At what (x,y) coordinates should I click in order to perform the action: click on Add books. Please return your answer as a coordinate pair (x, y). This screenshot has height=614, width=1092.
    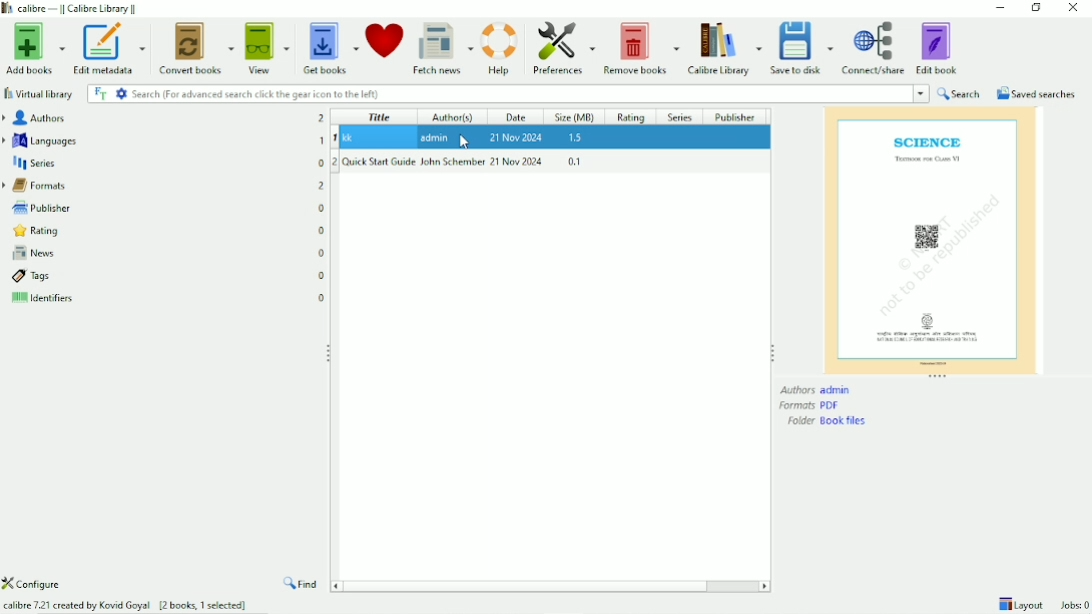
    Looking at the image, I should click on (33, 50).